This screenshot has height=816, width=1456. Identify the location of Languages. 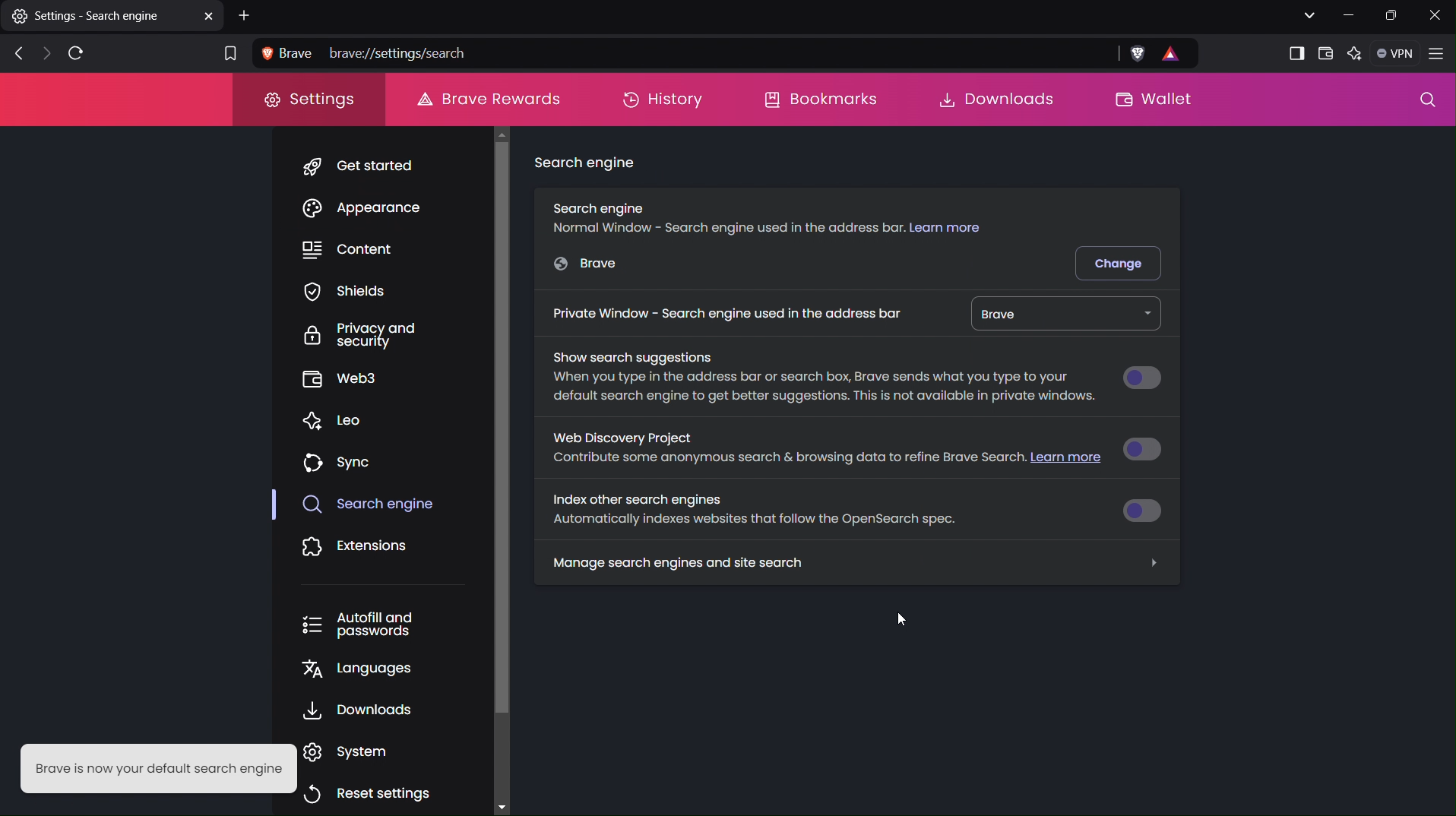
(353, 669).